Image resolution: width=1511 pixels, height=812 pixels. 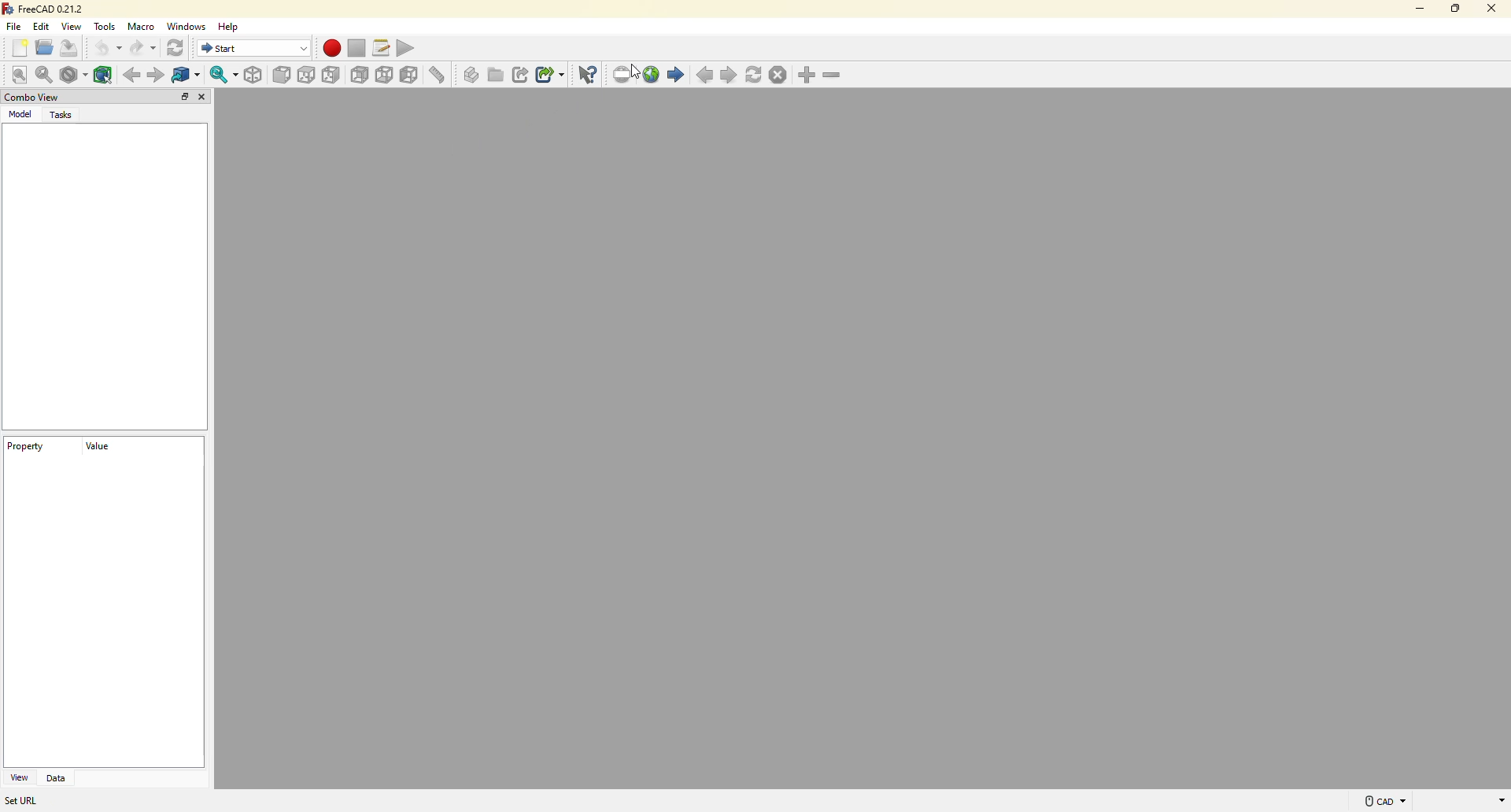 I want to click on open, so click(x=44, y=47).